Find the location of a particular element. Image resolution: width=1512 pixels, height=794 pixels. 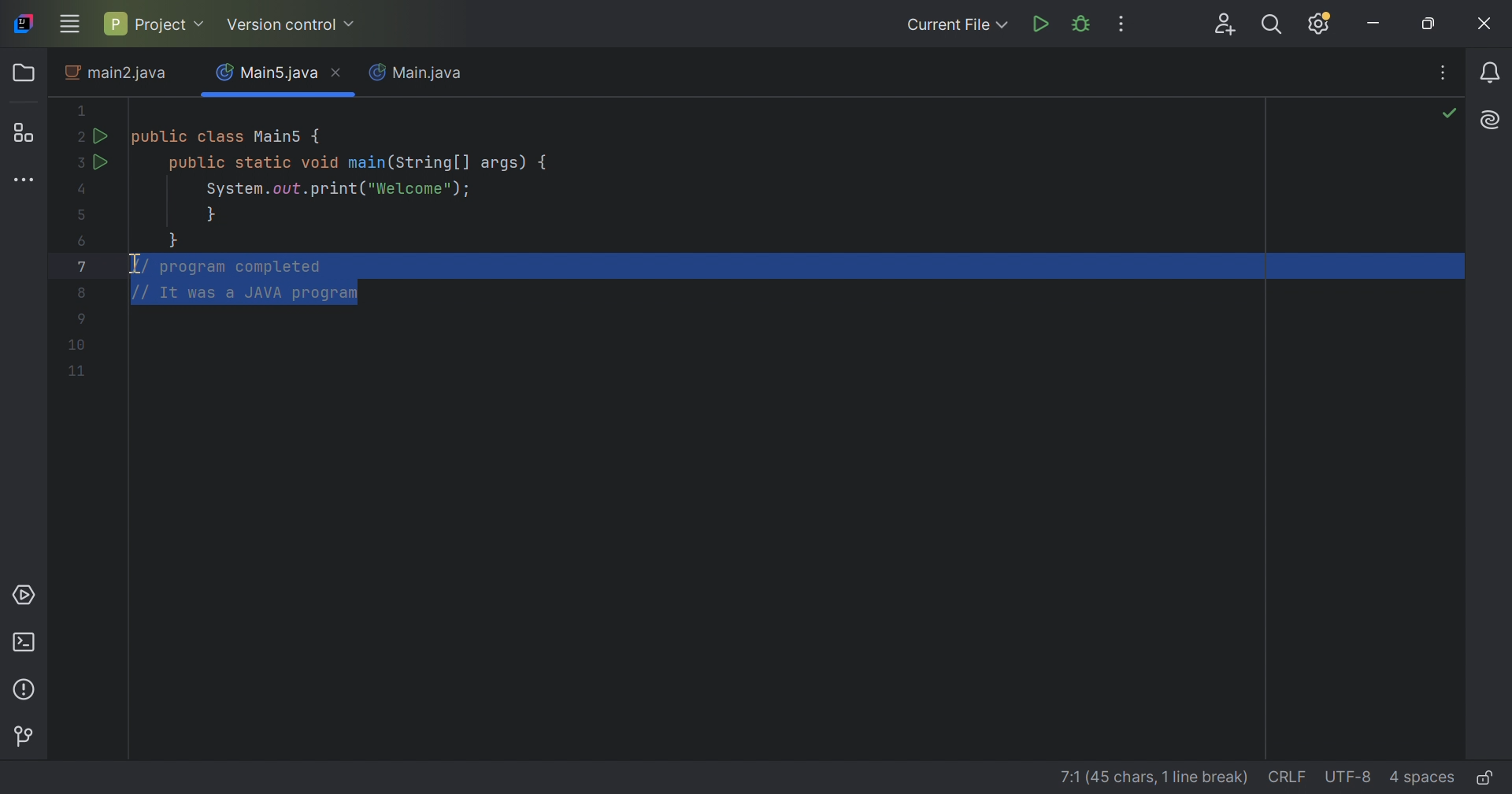

Main.java is located at coordinates (421, 74).